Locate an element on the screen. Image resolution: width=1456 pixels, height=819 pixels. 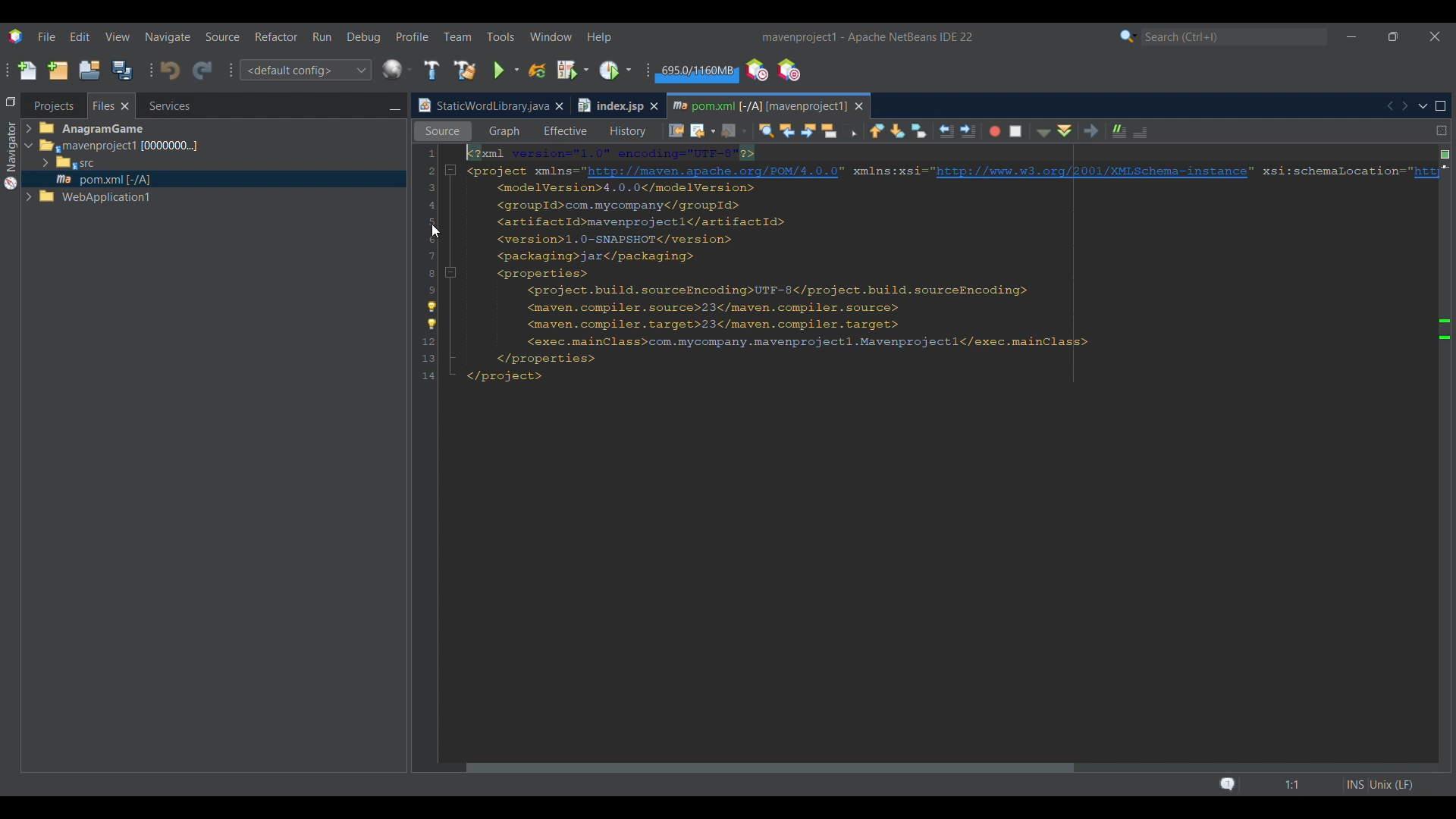
Other tab is located at coordinates (617, 105).